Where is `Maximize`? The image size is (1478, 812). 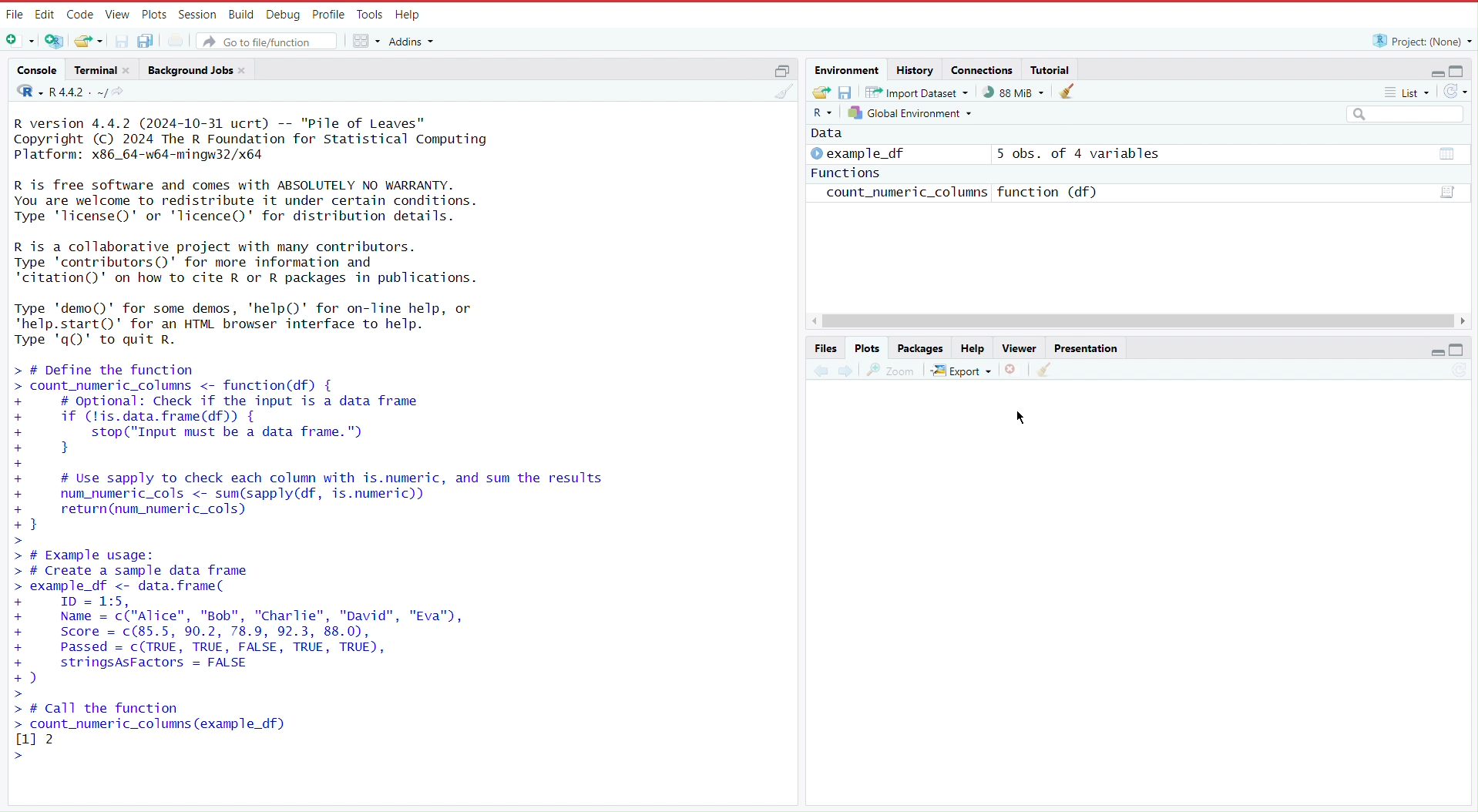
Maximize is located at coordinates (1459, 70).